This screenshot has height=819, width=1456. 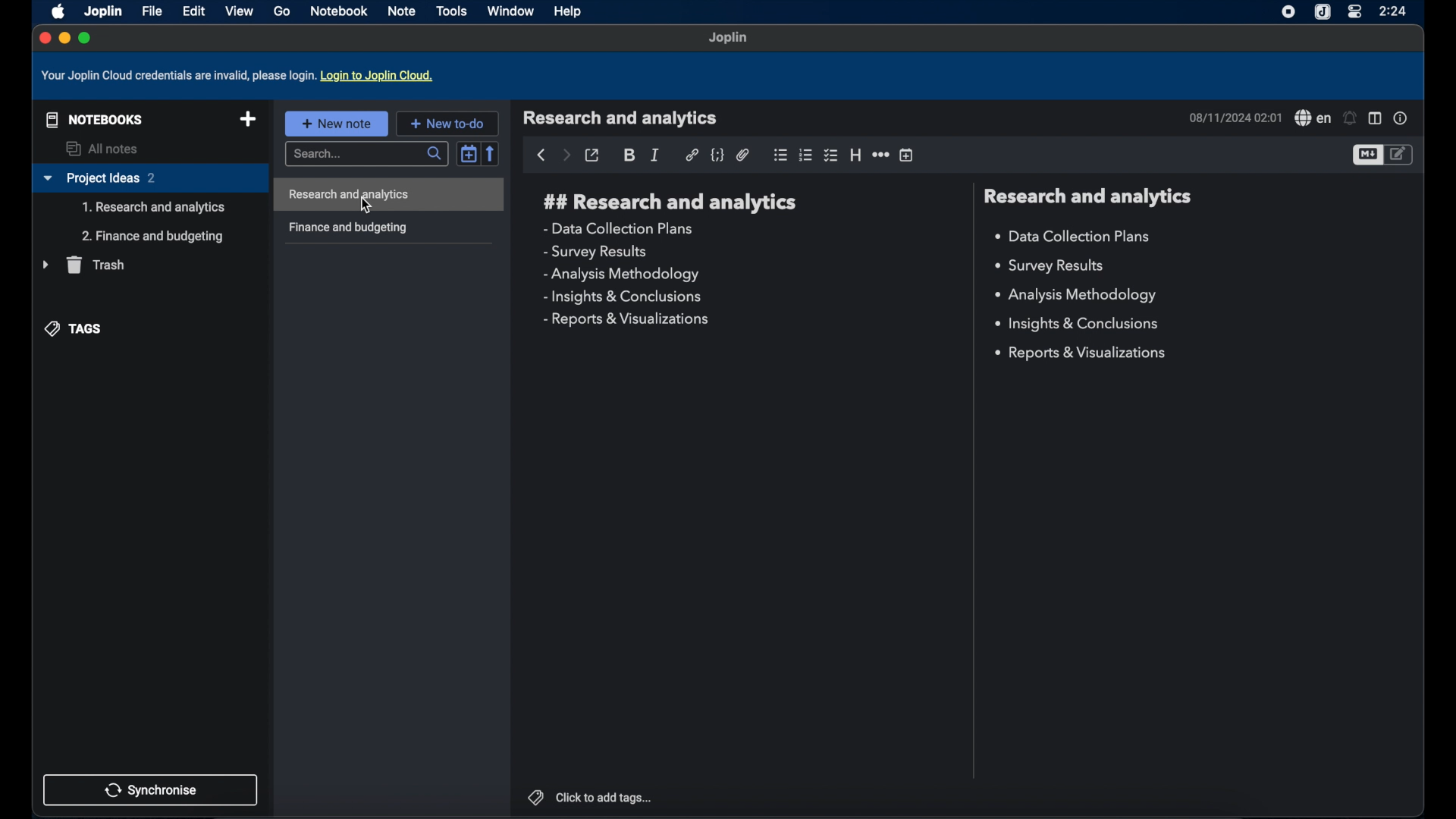 I want to click on joplin icon, so click(x=1323, y=12).